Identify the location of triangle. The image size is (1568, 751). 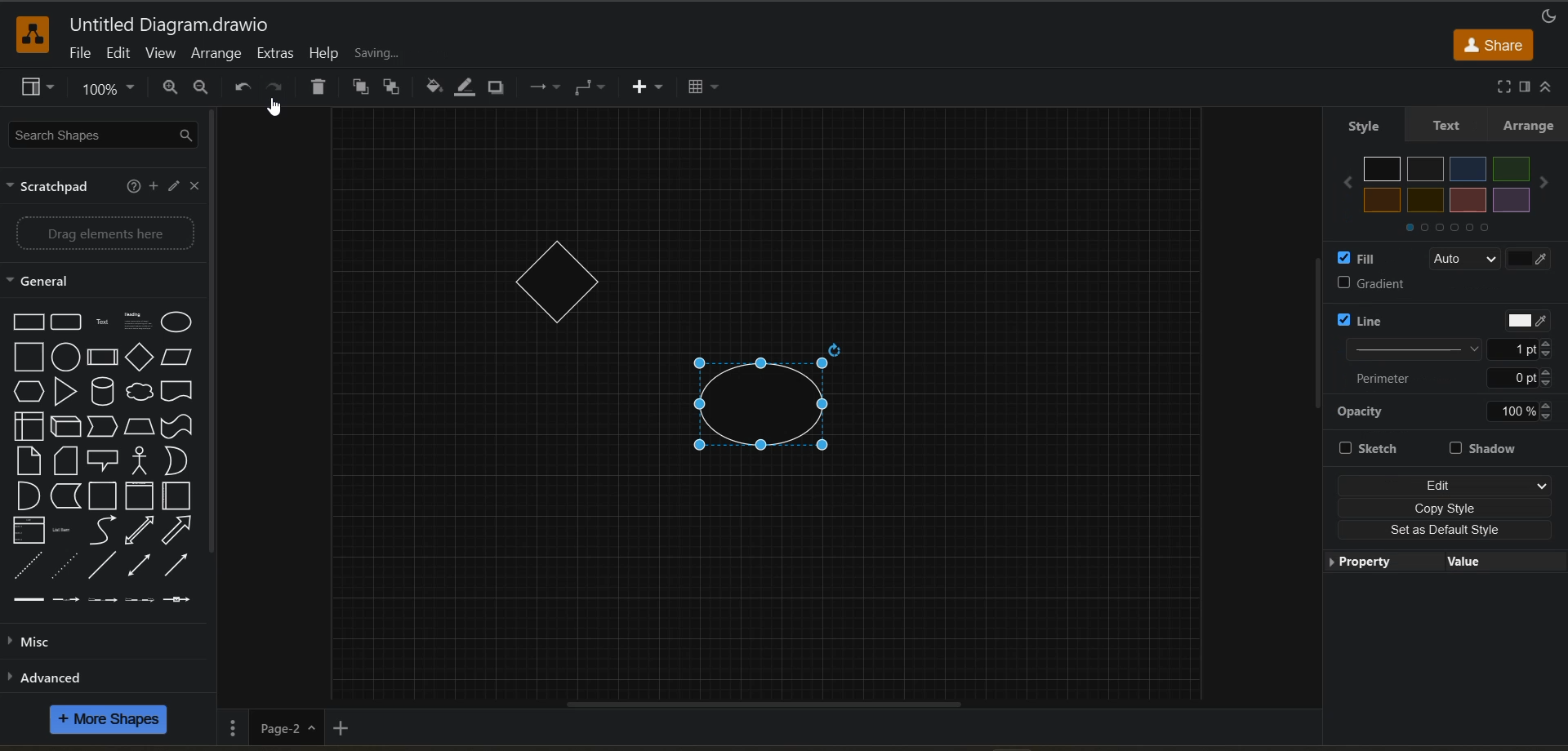
(66, 392).